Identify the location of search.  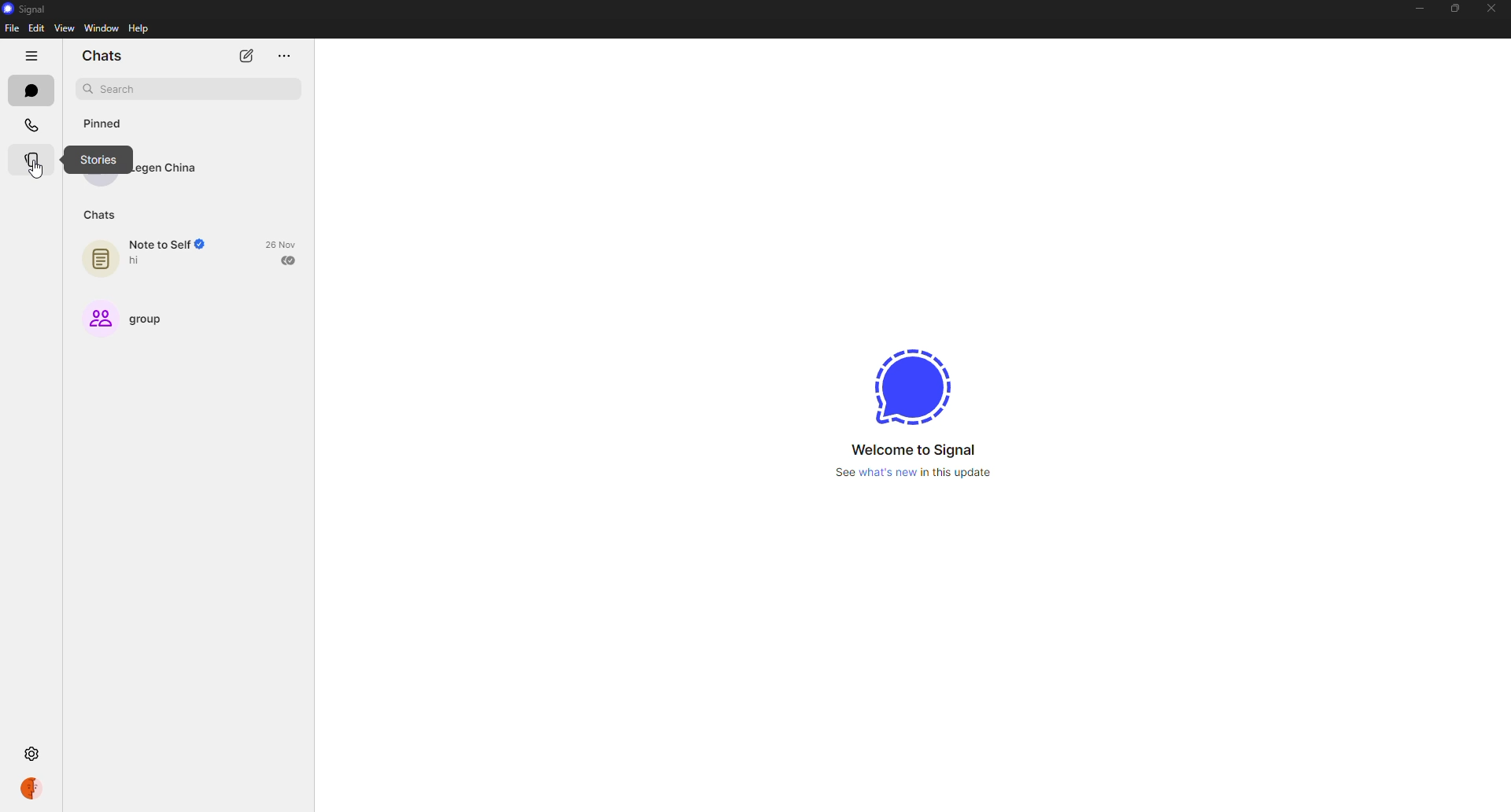
(188, 88).